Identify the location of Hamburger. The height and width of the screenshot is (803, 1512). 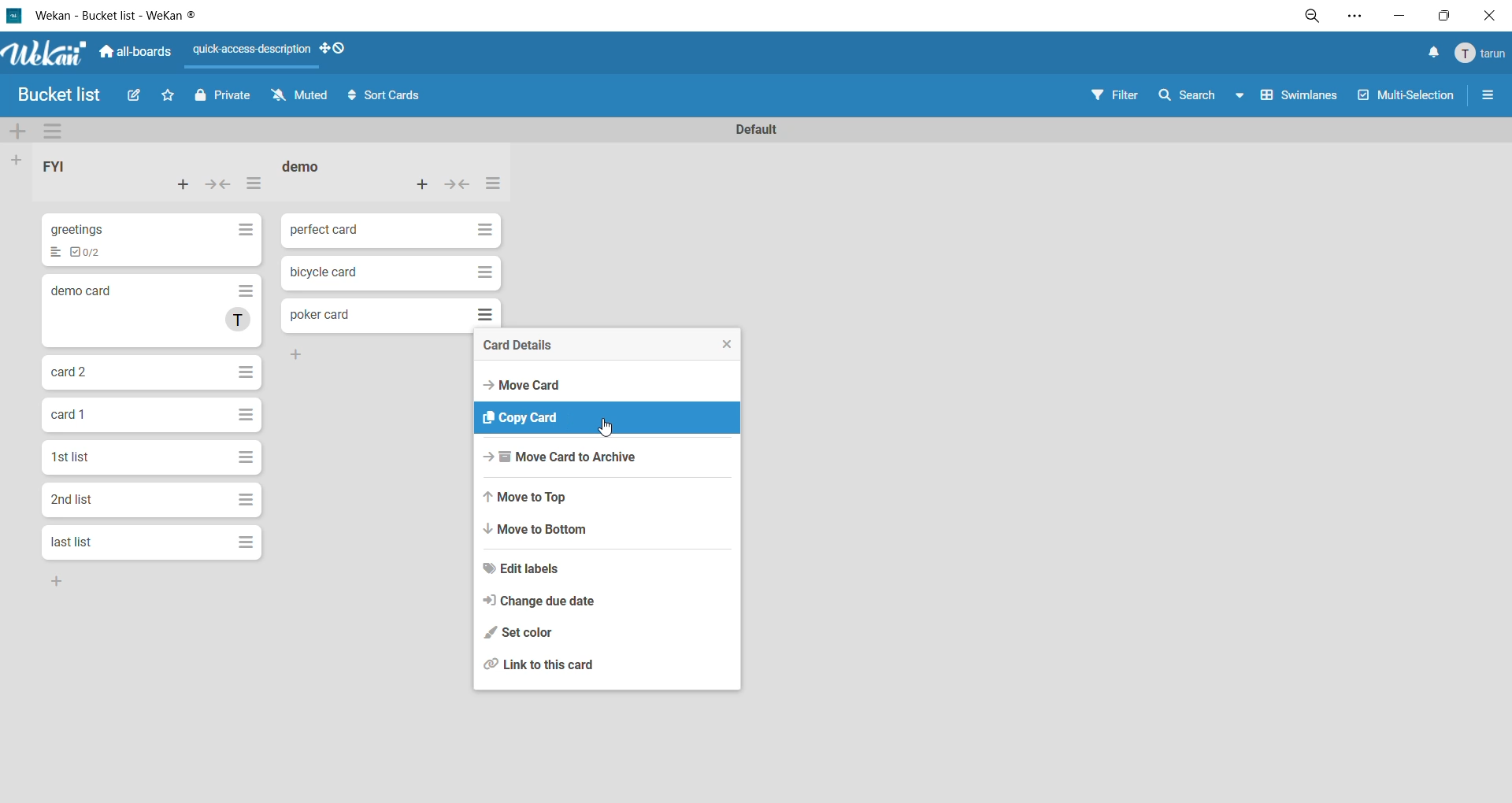
(245, 234).